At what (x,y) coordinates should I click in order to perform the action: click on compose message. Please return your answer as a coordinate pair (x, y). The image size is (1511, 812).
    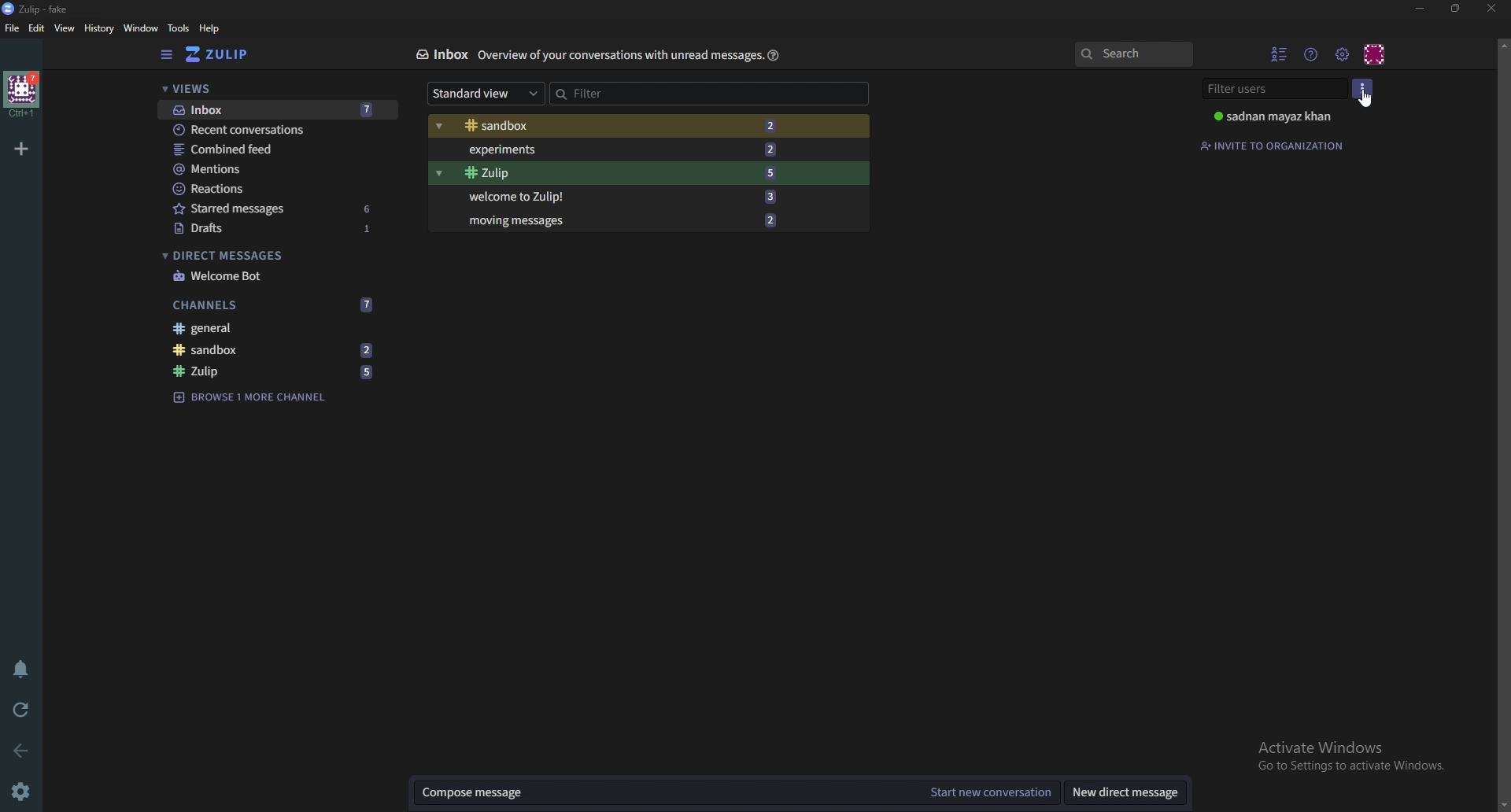
    Looking at the image, I should click on (663, 793).